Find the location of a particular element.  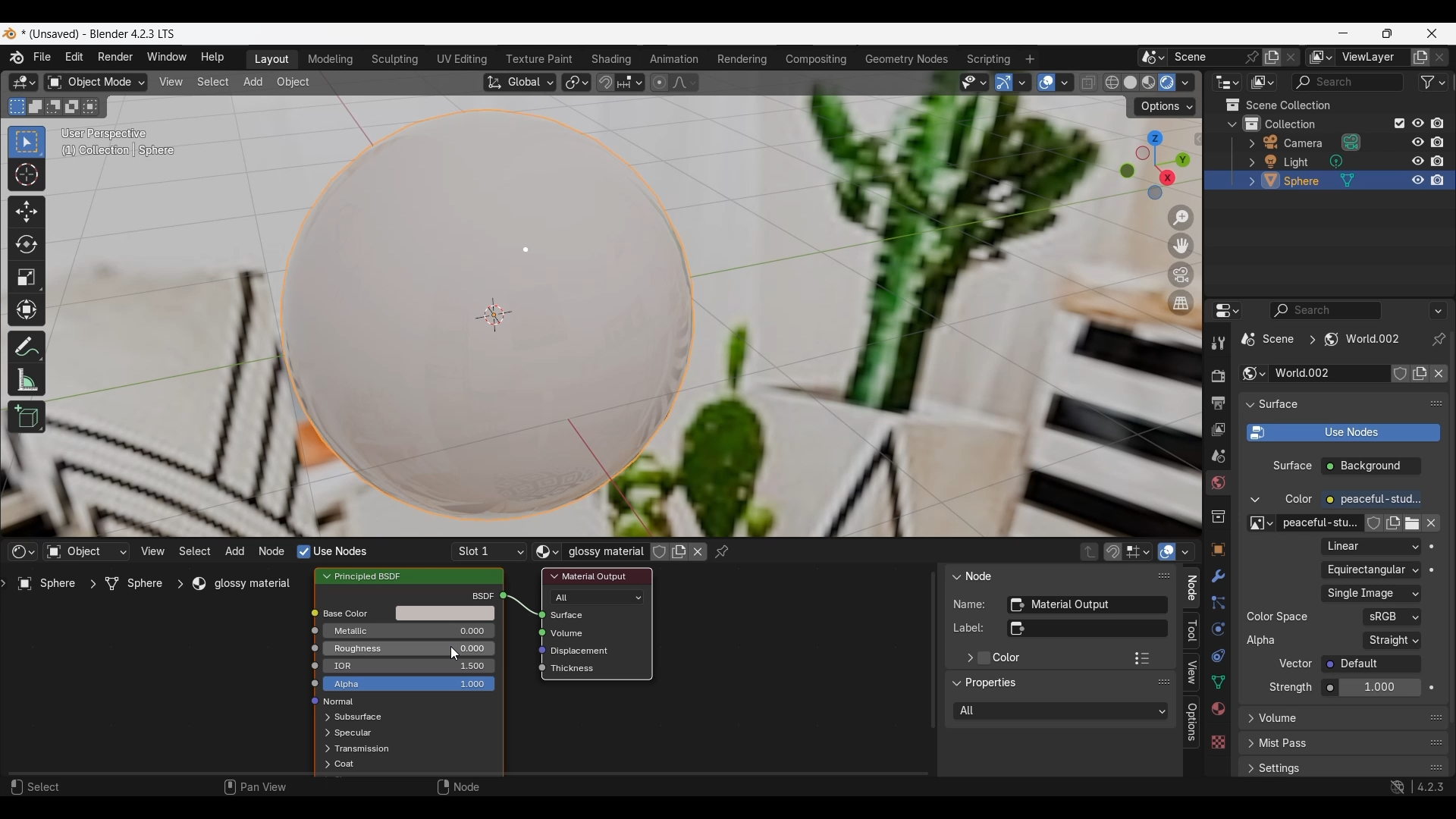

Browse material to be linked is located at coordinates (548, 552).